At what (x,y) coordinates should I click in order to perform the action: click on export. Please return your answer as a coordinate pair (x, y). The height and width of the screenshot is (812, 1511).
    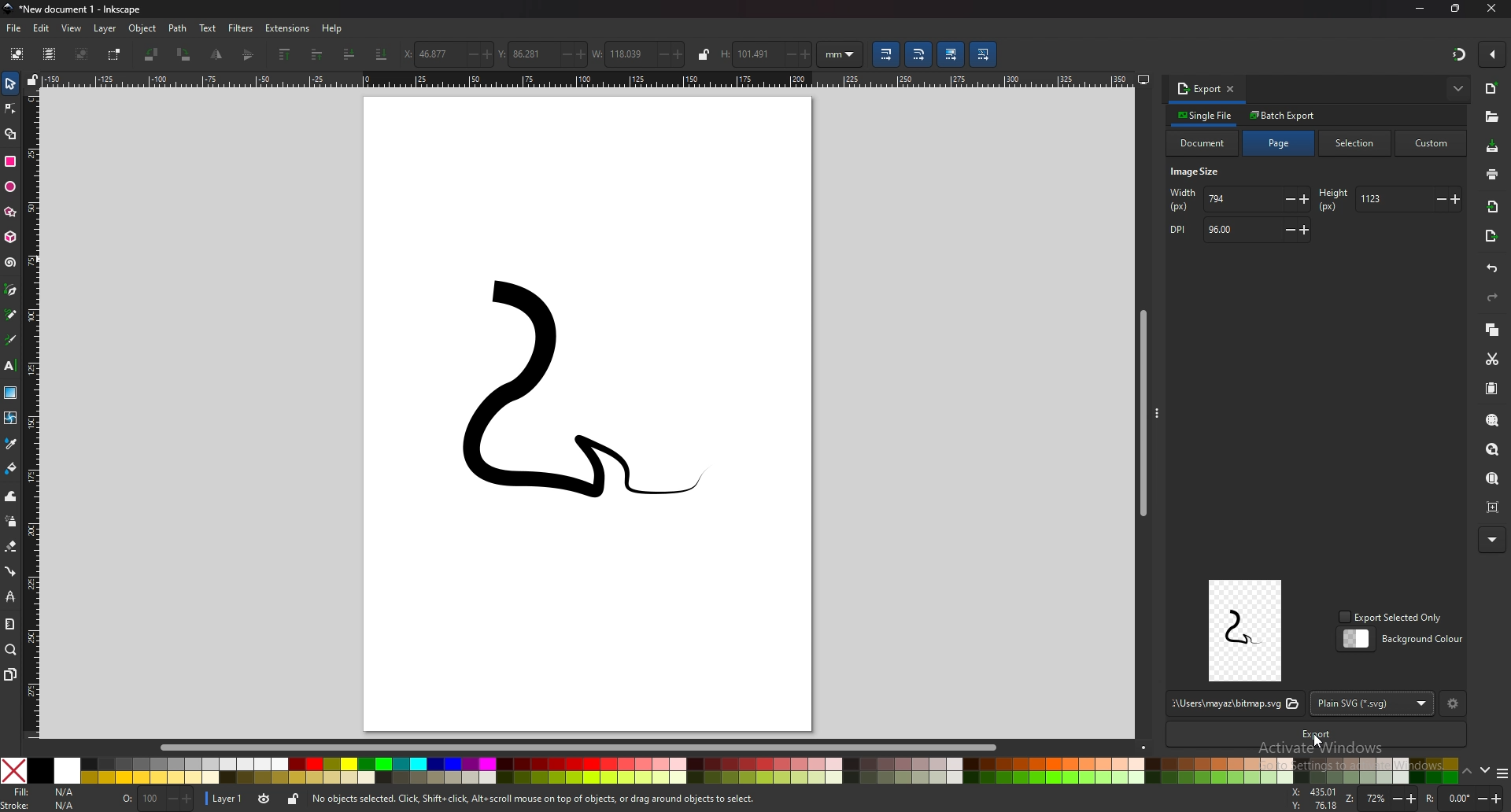
    Looking at the image, I should click on (1199, 88).